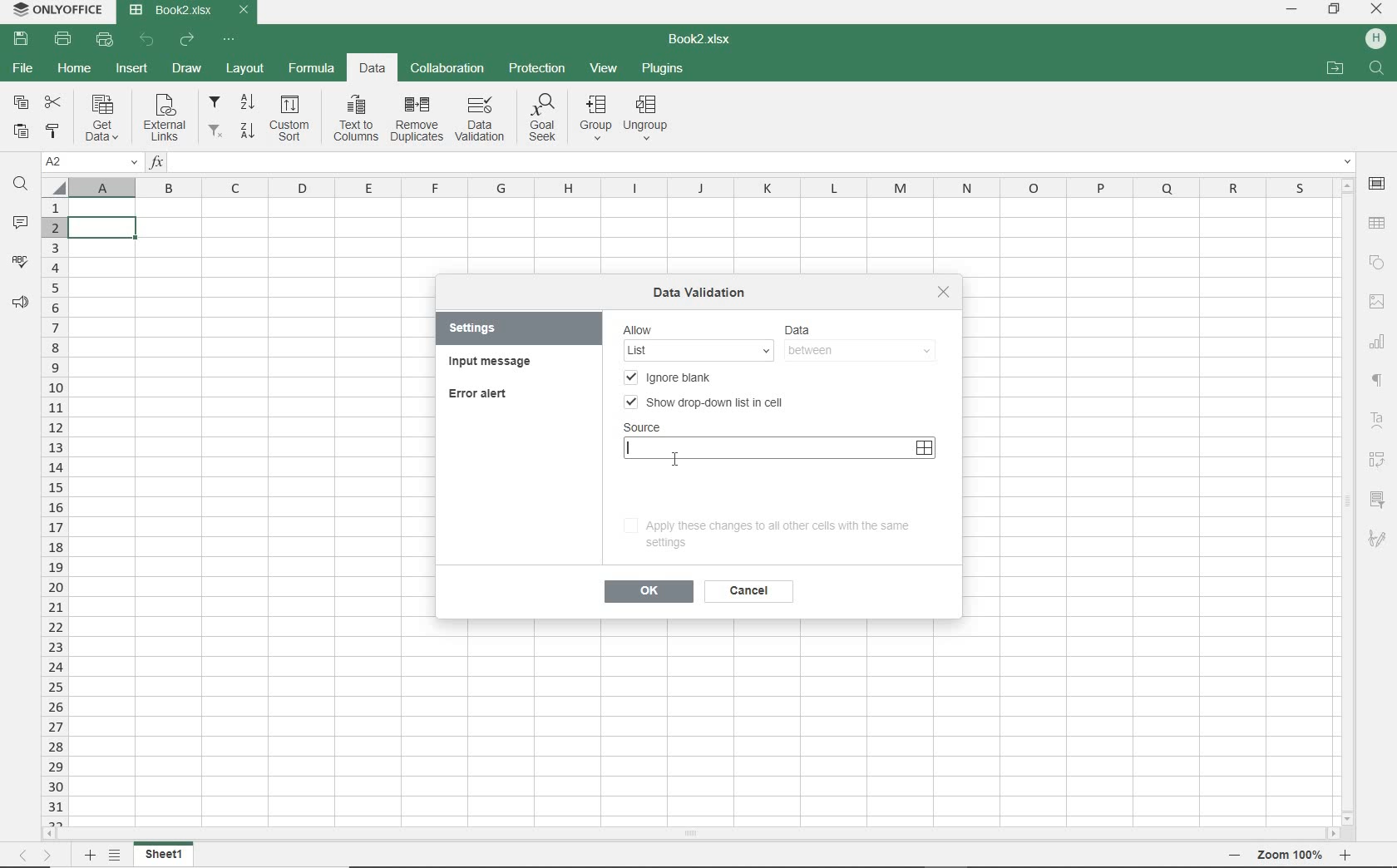 This screenshot has height=868, width=1397. Describe the element at coordinates (605, 67) in the screenshot. I see `VIEW` at that location.